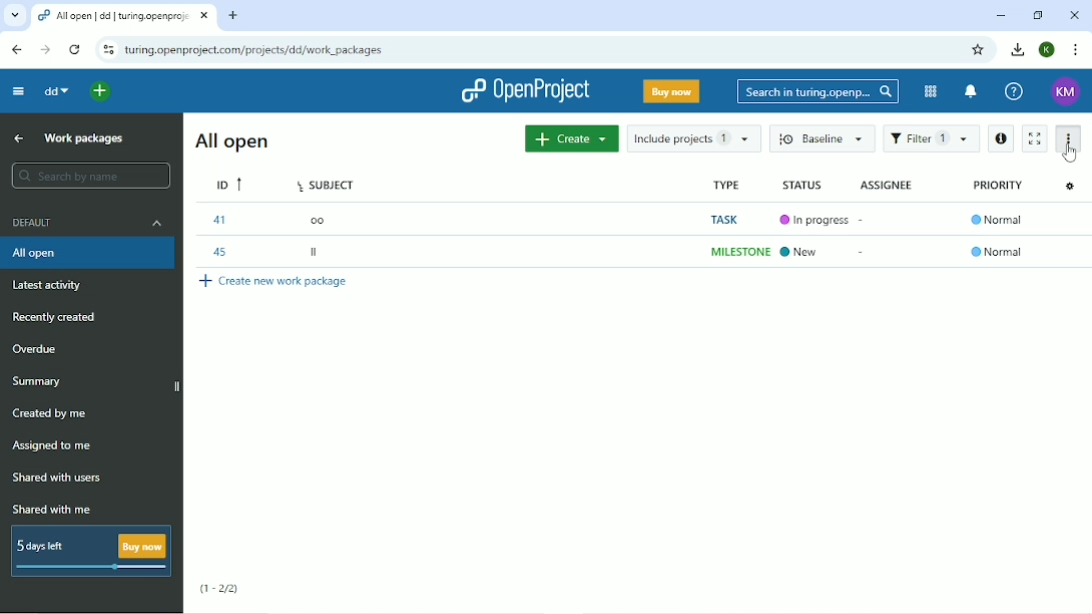 This screenshot has width=1092, height=614. I want to click on Include projects , so click(695, 138).